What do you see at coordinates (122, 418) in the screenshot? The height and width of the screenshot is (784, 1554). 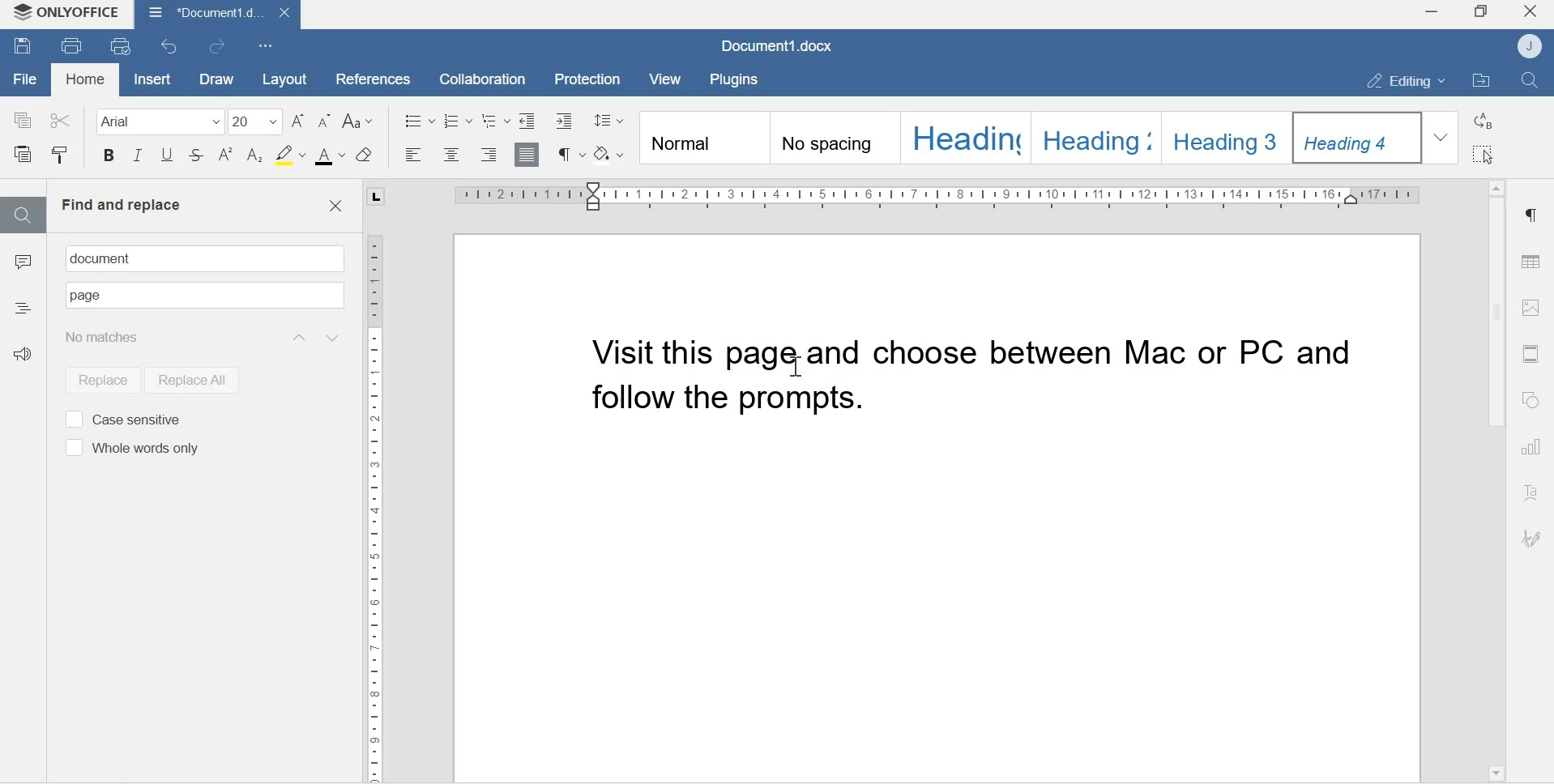 I see `Case sensitive` at bounding box center [122, 418].